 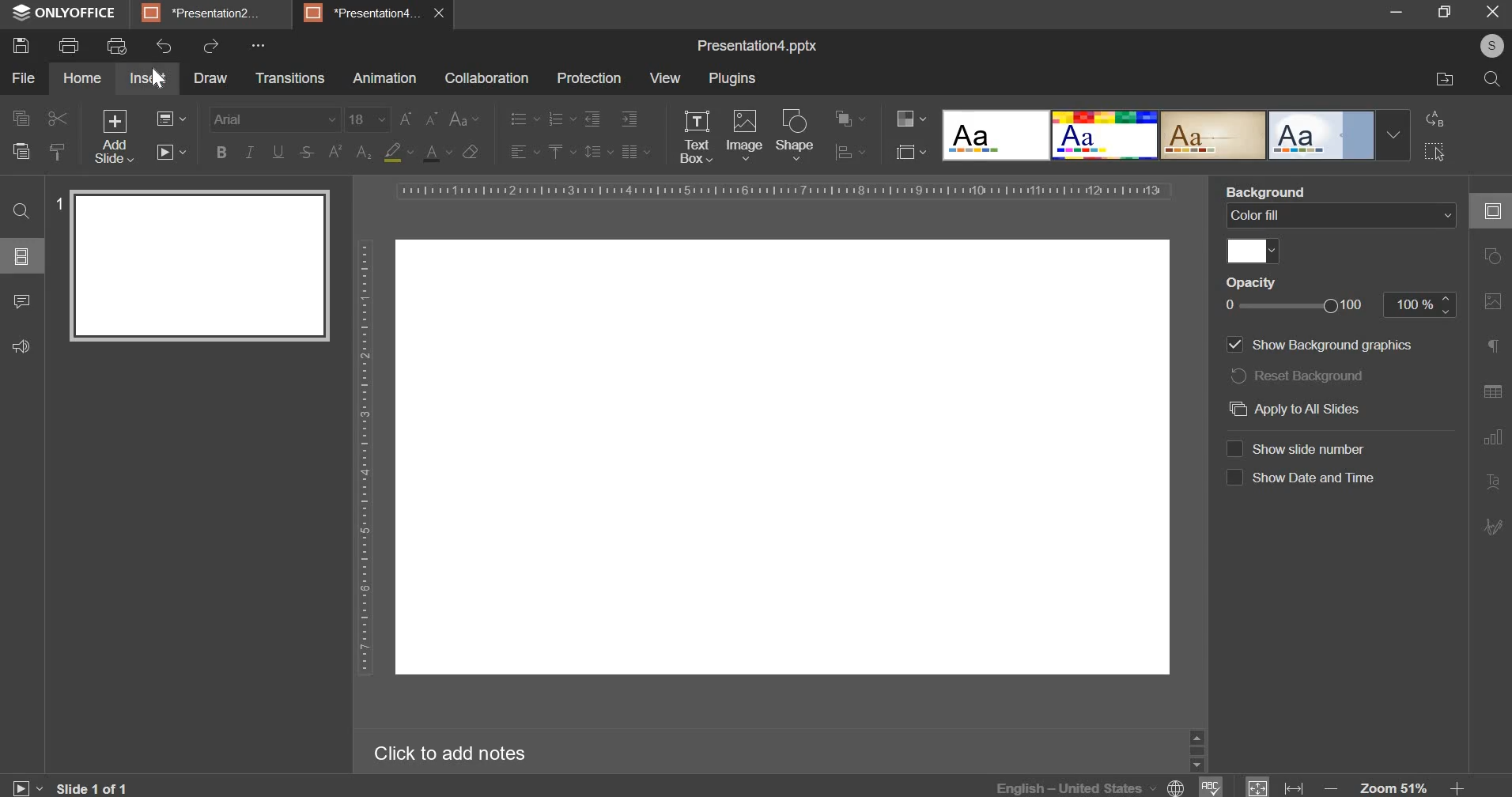 What do you see at coordinates (1295, 448) in the screenshot?
I see `show slide number` at bounding box center [1295, 448].